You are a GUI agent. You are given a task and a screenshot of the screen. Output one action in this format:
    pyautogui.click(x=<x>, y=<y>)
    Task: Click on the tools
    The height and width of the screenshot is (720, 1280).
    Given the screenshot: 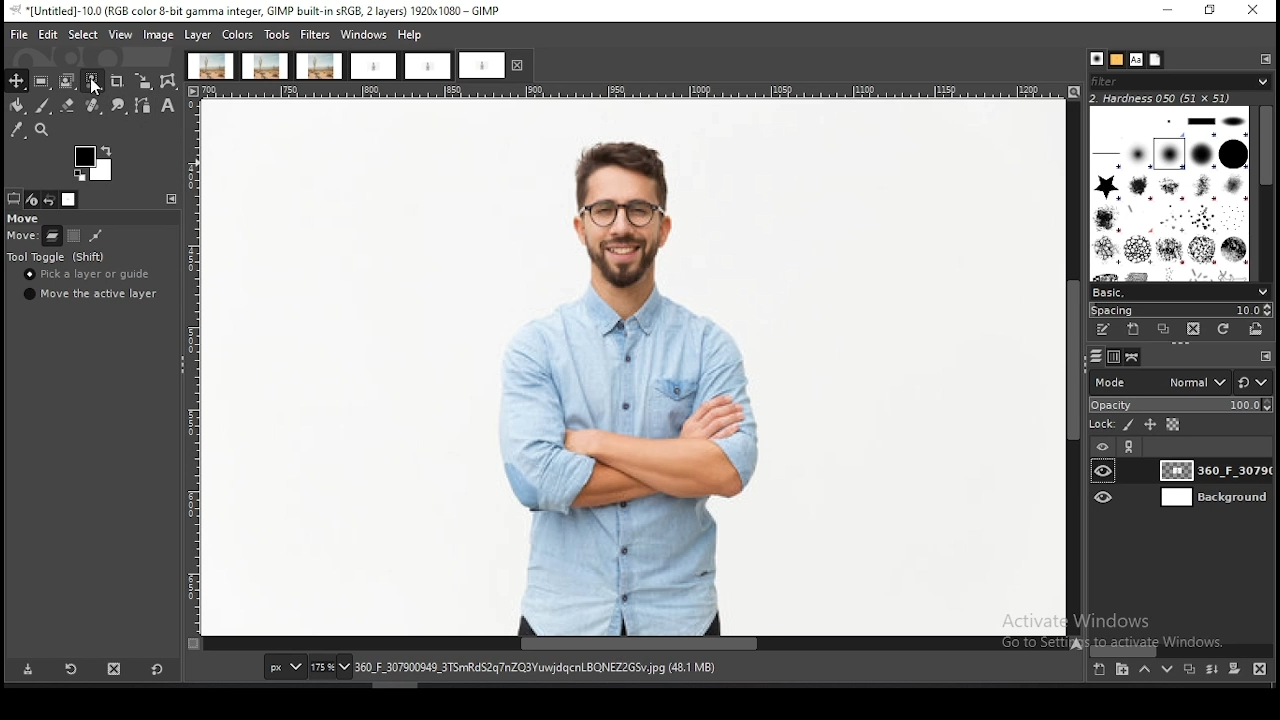 What is the action you would take?
    pyautogui.click(x=277, y=36)
    